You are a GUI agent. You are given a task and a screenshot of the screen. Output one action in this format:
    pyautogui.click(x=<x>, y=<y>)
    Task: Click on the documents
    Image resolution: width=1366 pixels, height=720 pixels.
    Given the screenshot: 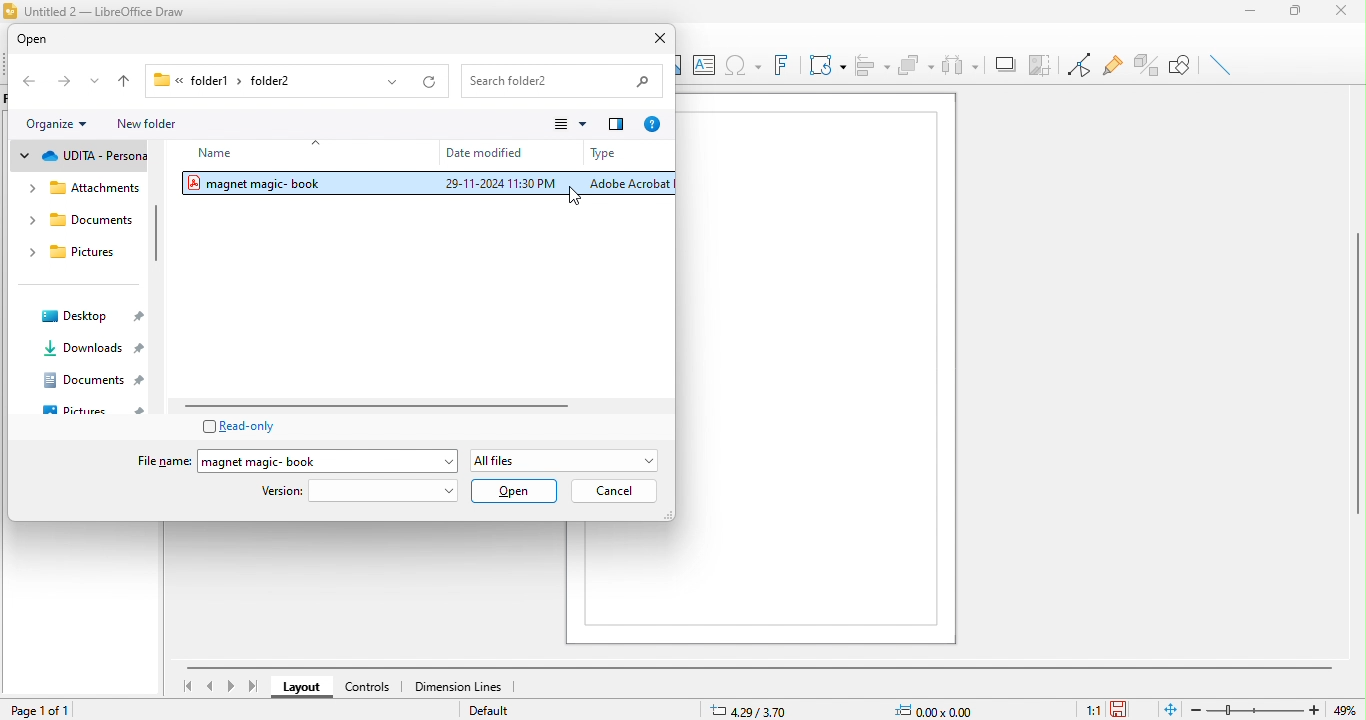 What is the action you would take?
    pyautogui.click(x=94, y=380)
    